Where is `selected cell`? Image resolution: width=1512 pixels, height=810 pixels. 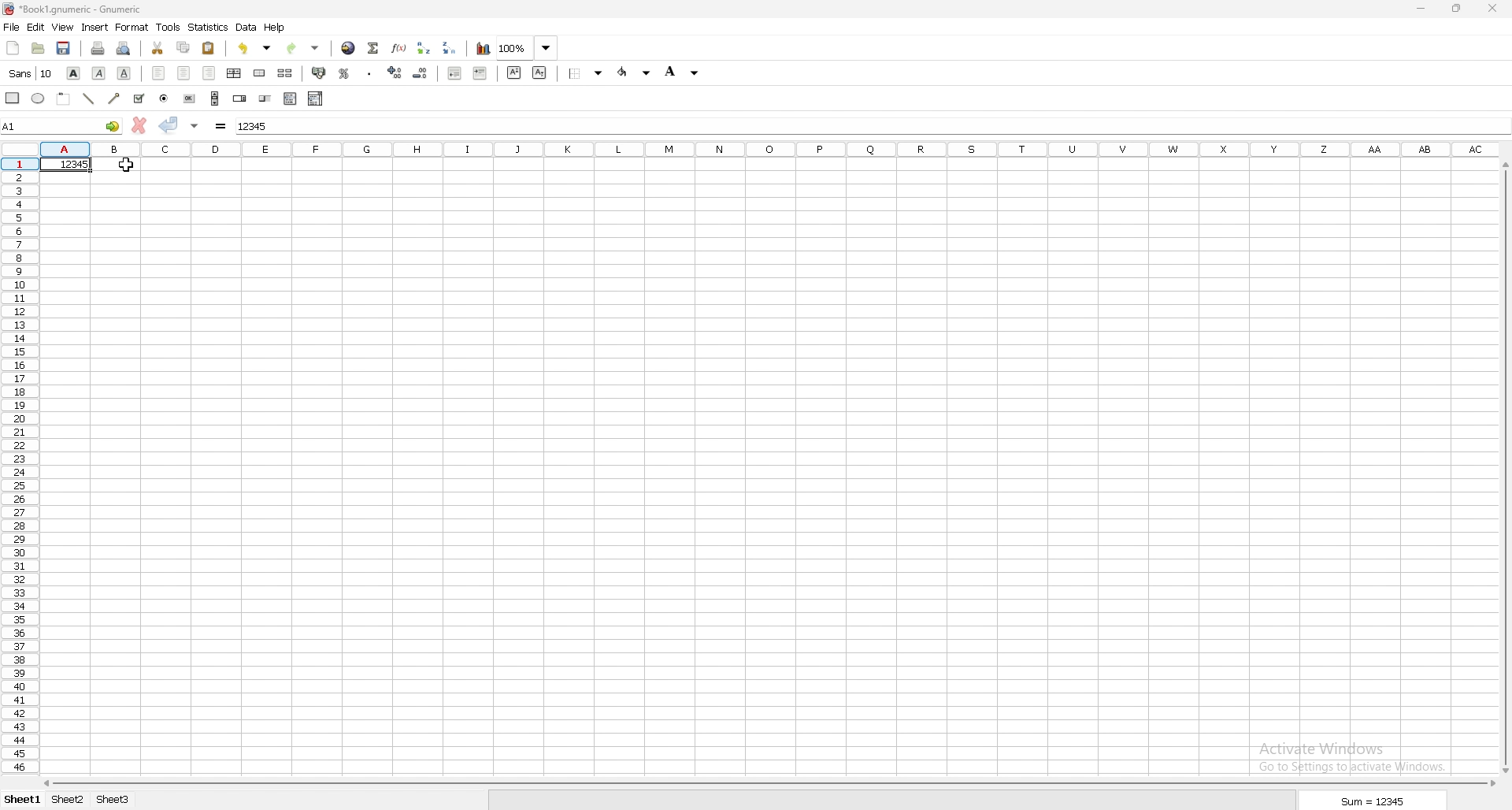
selected cell is located at coordinates (62, 126).